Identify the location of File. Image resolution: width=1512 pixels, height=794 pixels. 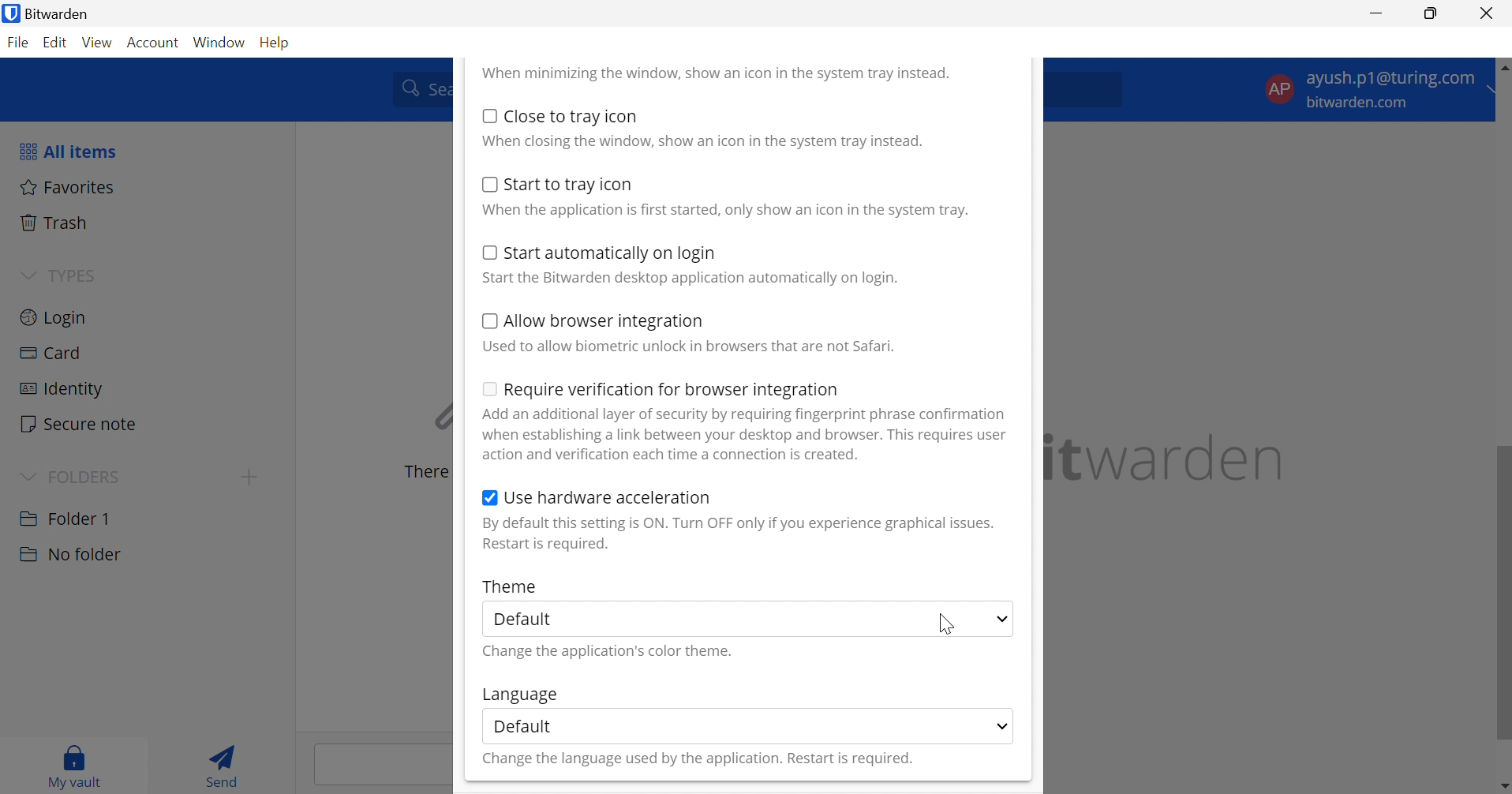
(21, 43).